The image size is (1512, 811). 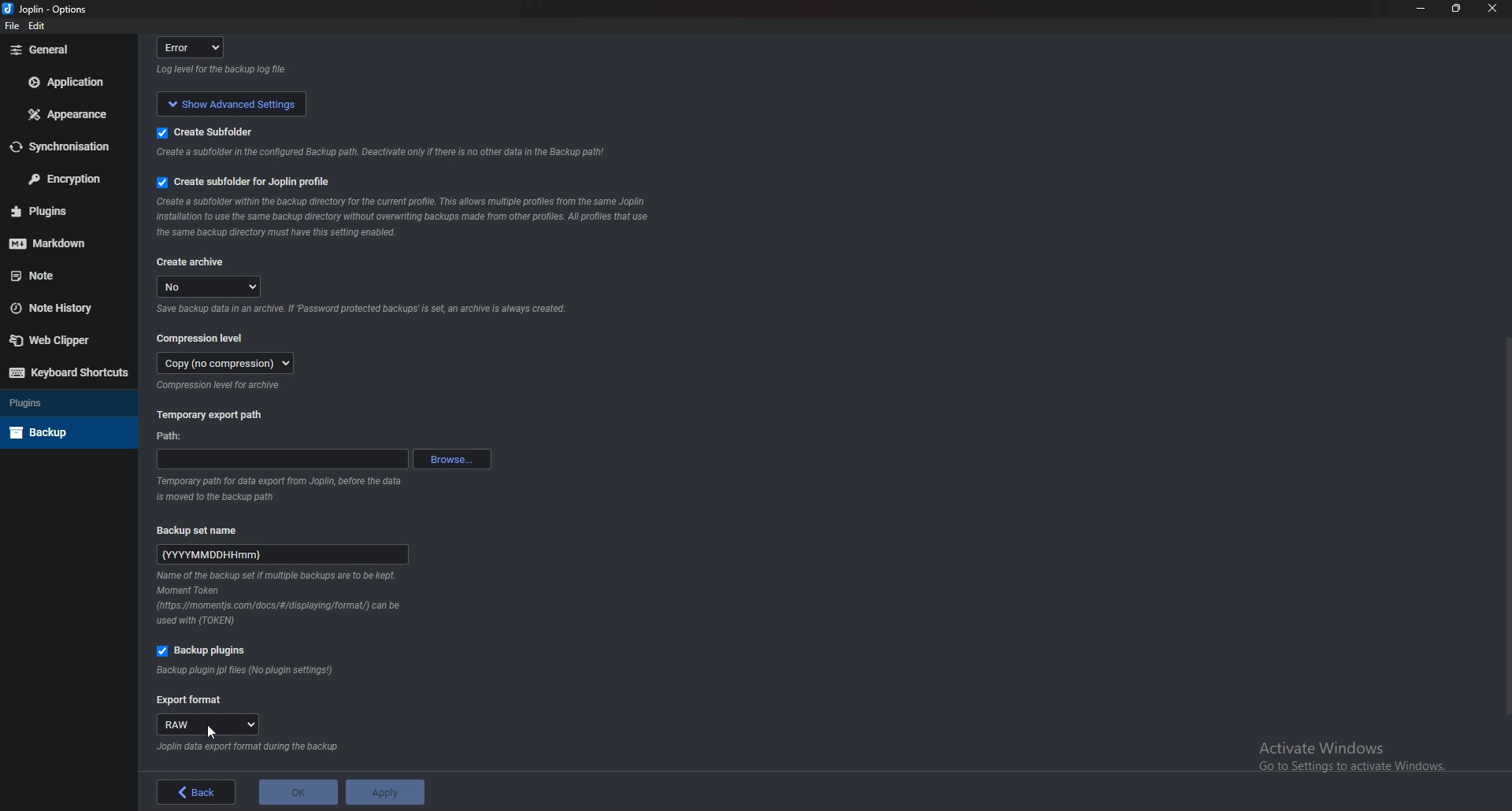 I want to click on Mark down, so click(x=59, y=241).